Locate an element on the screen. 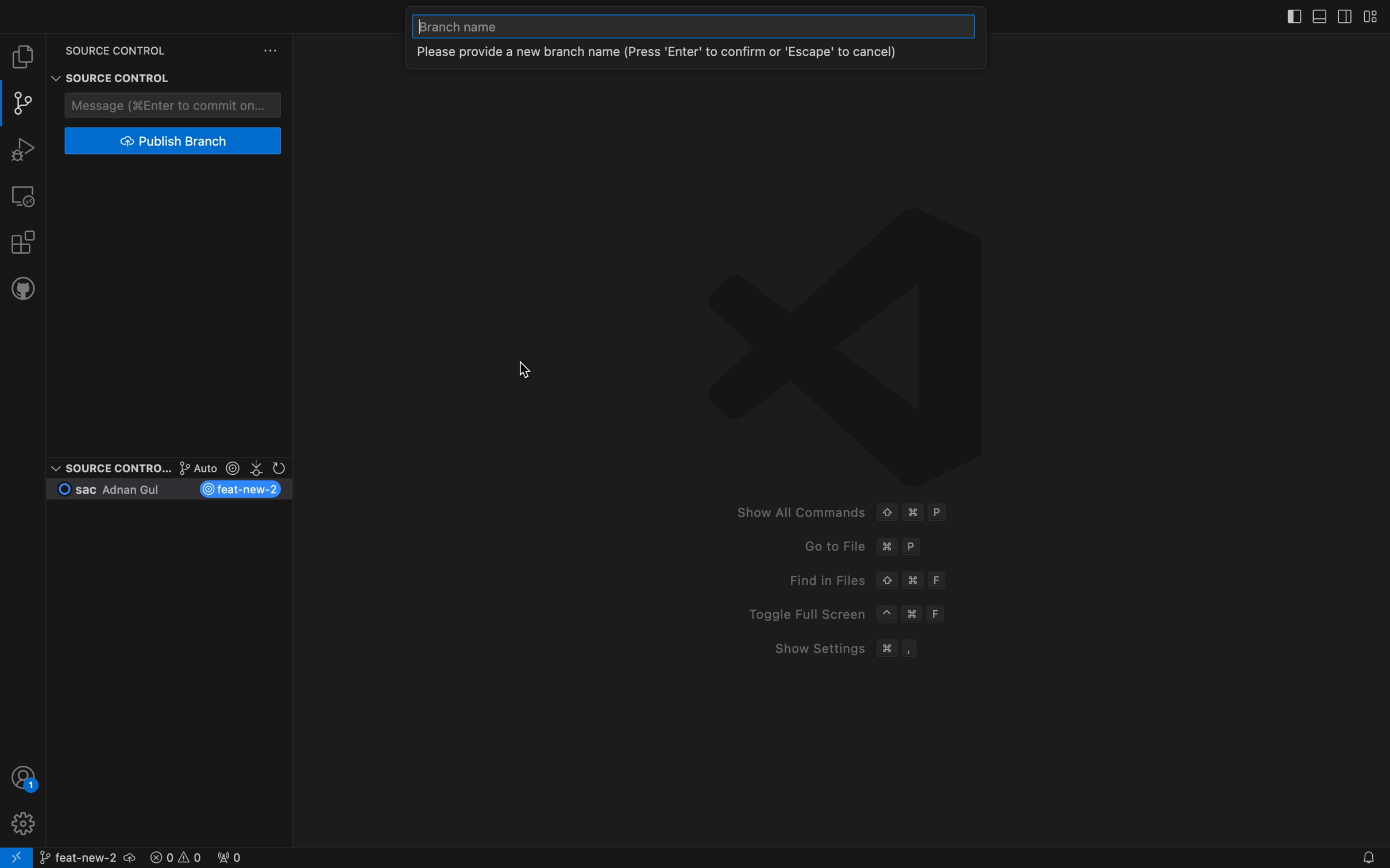 Image resolution: width=1390 pixels, height=868 pixels. Find in Files is located at coordinates (817, 580).